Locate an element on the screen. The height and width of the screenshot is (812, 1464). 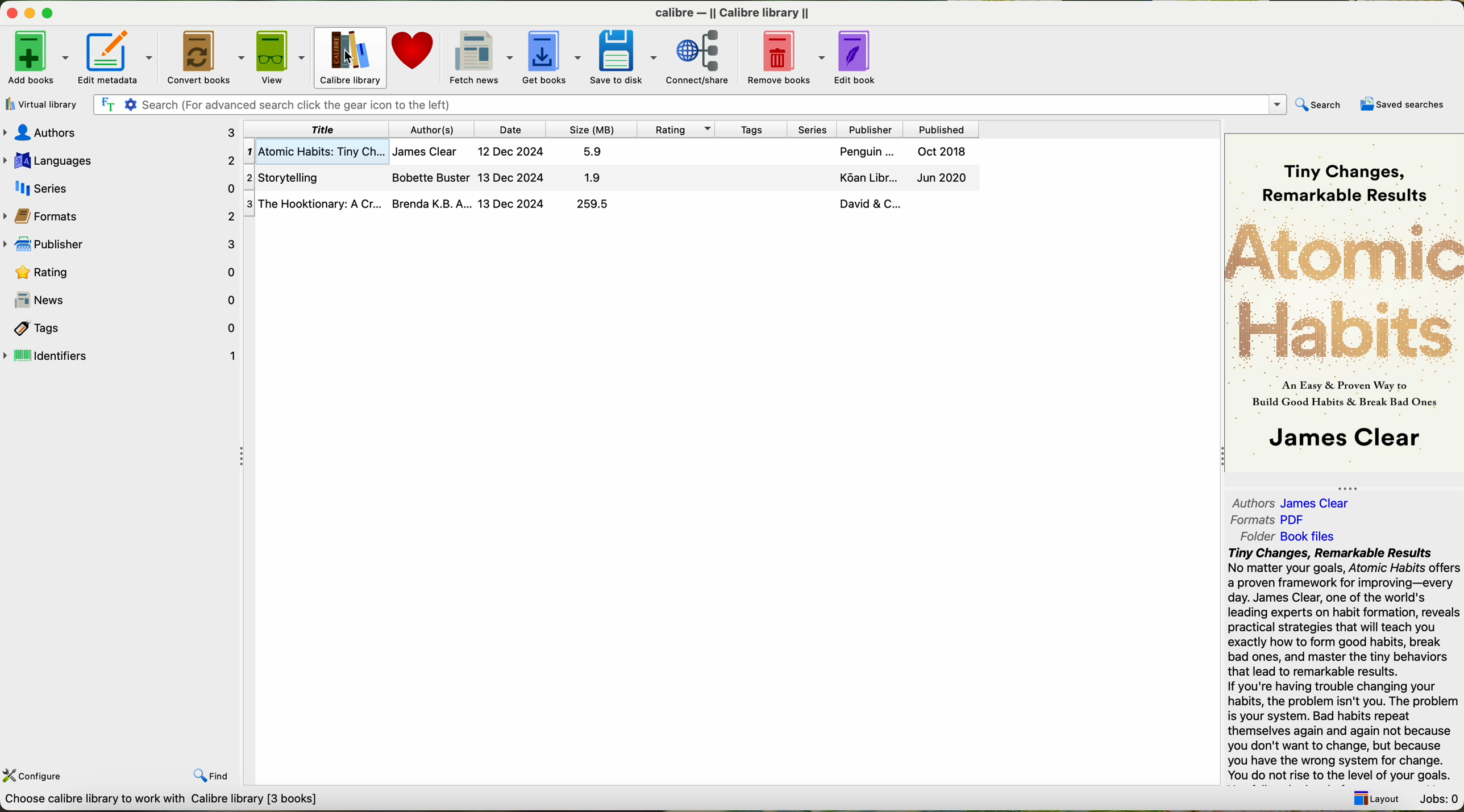
Choose calbre library to work with Calbre Library [3book} is located at coordinates (168, 802).